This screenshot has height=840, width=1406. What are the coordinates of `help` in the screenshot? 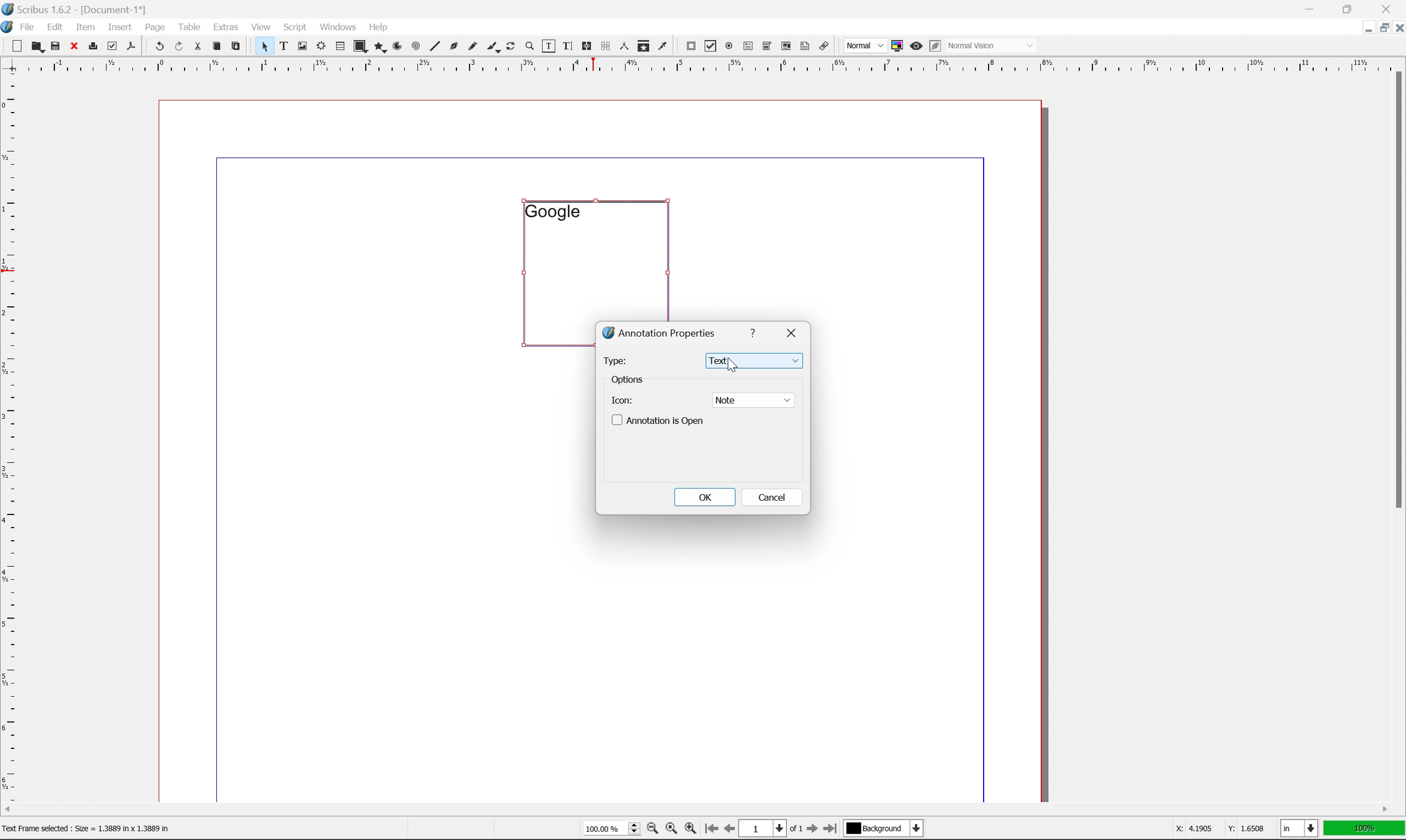 It's located at (378, 27).